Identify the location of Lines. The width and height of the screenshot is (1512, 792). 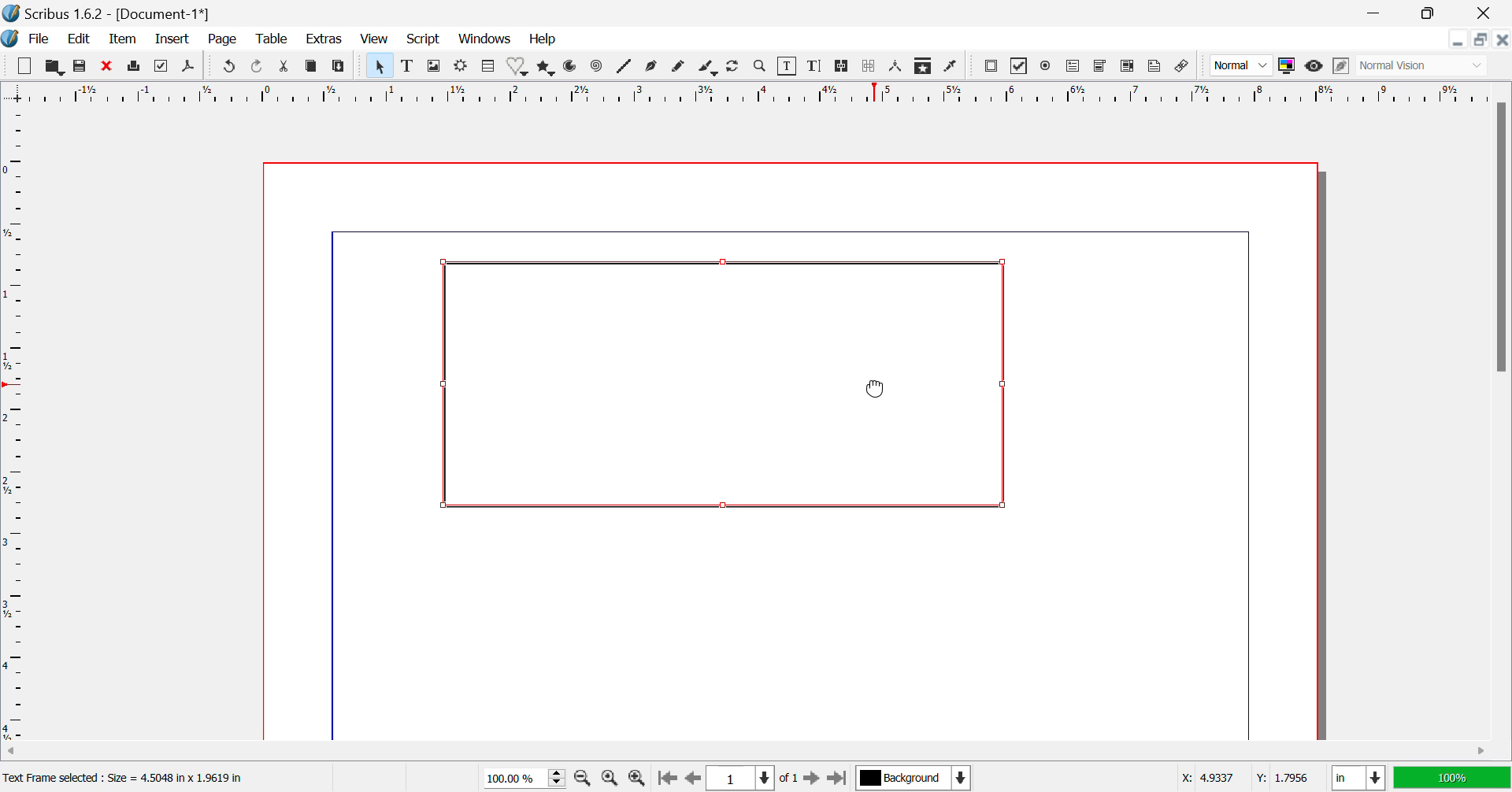
(624, 68).